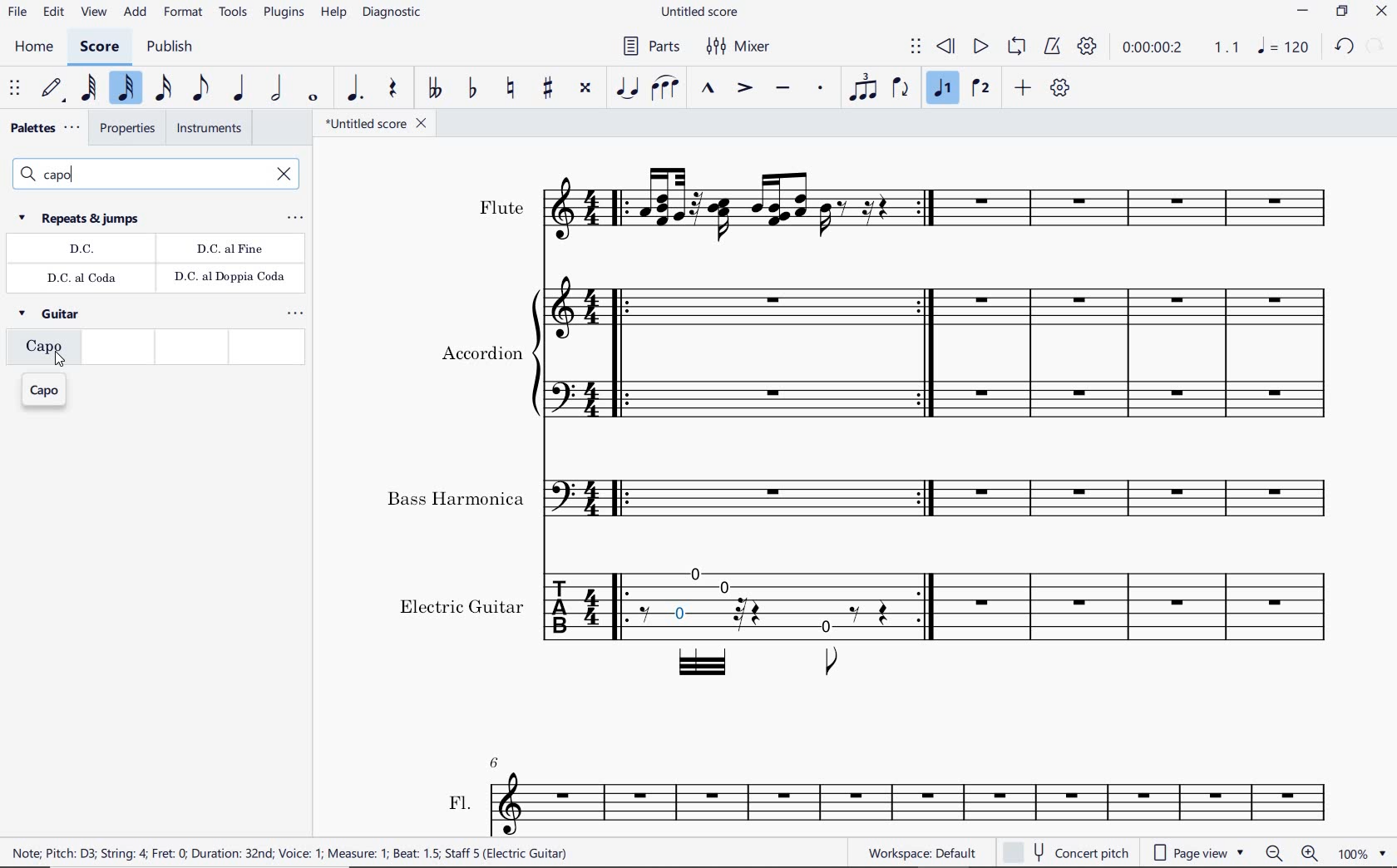 The width and height of the screenshot is (1397, 868). Describe the element at coordinates (184, 15) in the screenshot. I see `format` at that location.